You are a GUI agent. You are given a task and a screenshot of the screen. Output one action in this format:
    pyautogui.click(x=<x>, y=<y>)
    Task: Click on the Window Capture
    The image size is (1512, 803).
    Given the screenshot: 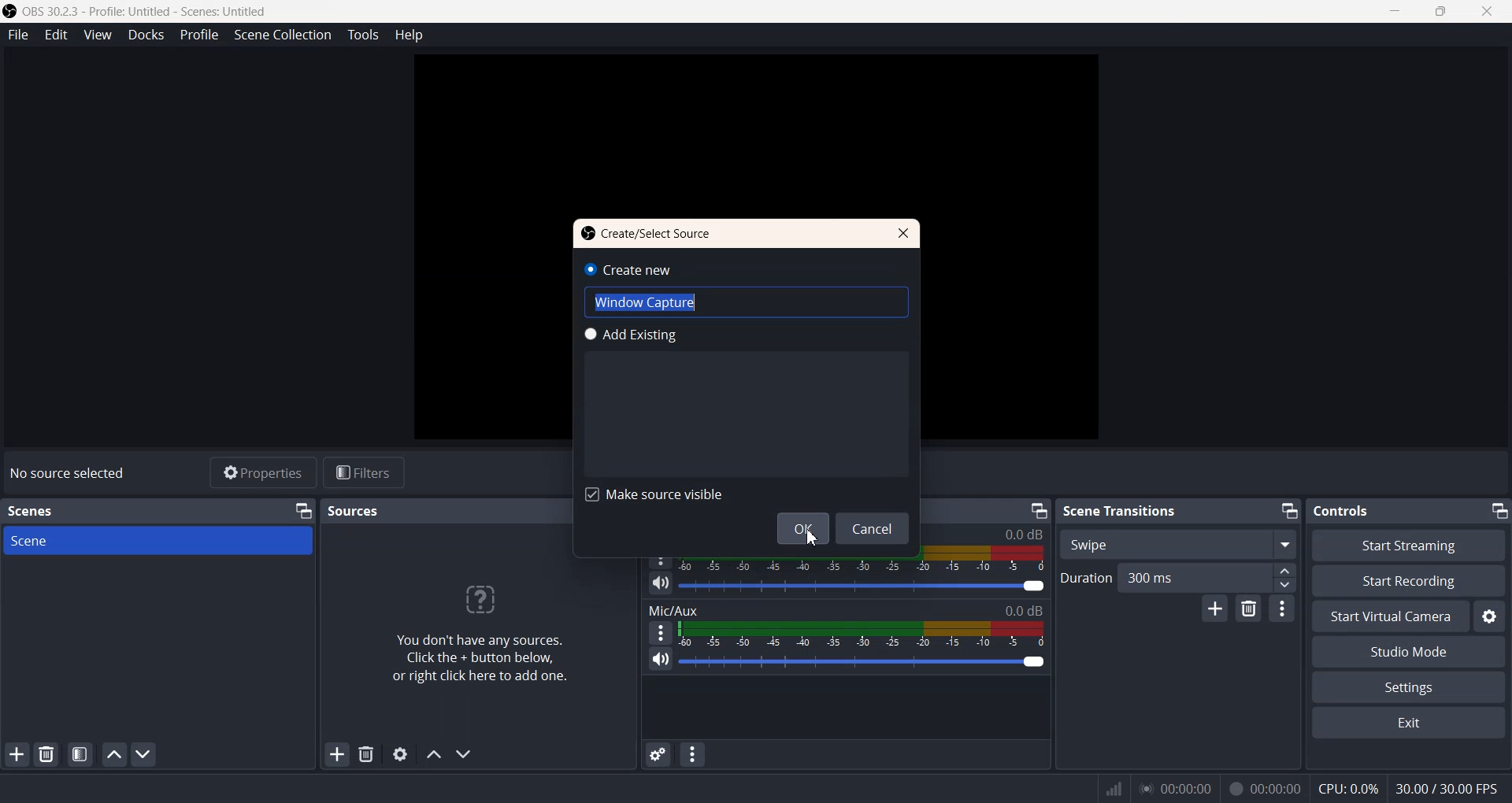 What is the action you would take?
    pyautogui.click(x=747, y=302)
    